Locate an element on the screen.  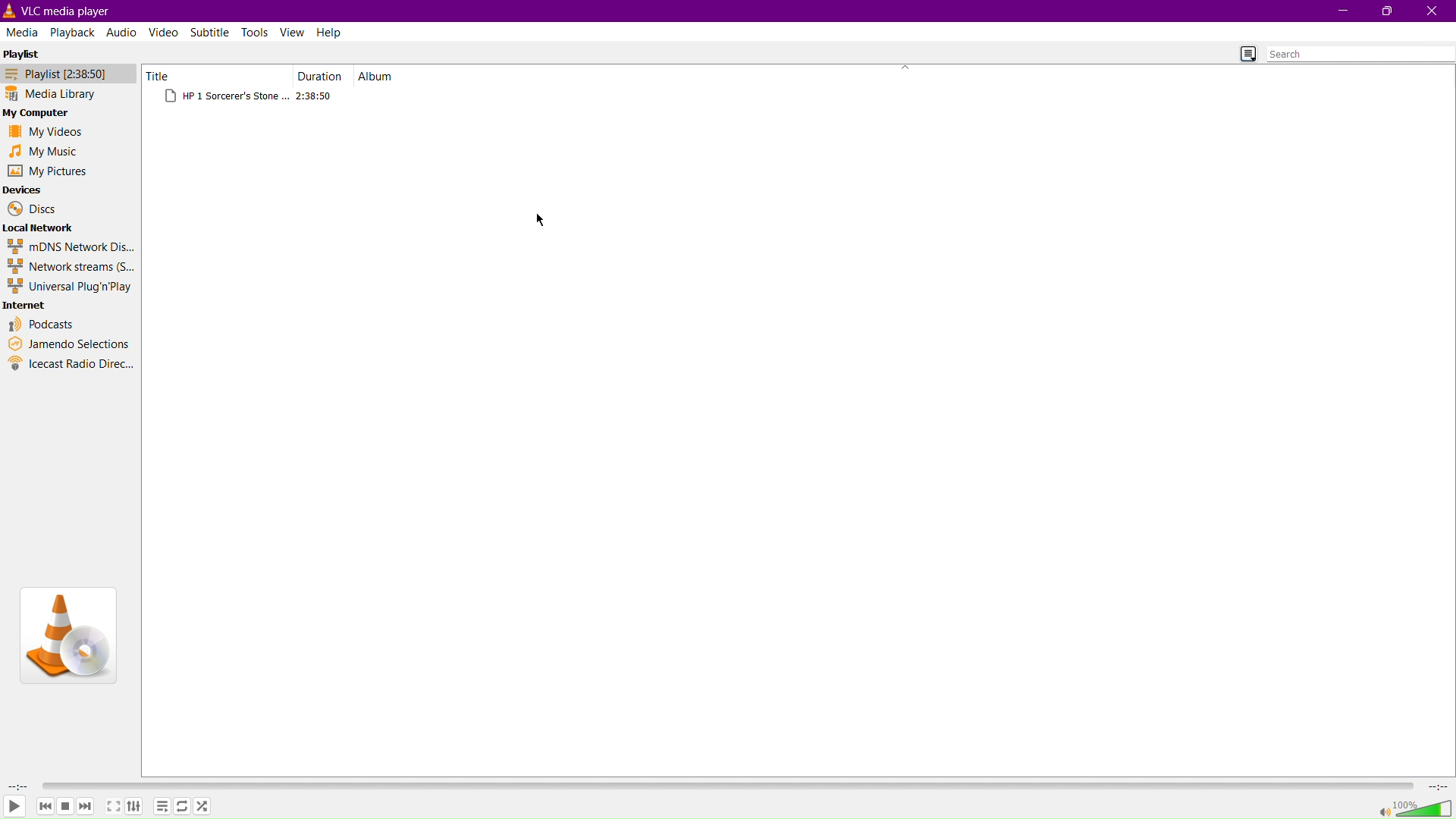
Stop is located at coordinates (66, 806).